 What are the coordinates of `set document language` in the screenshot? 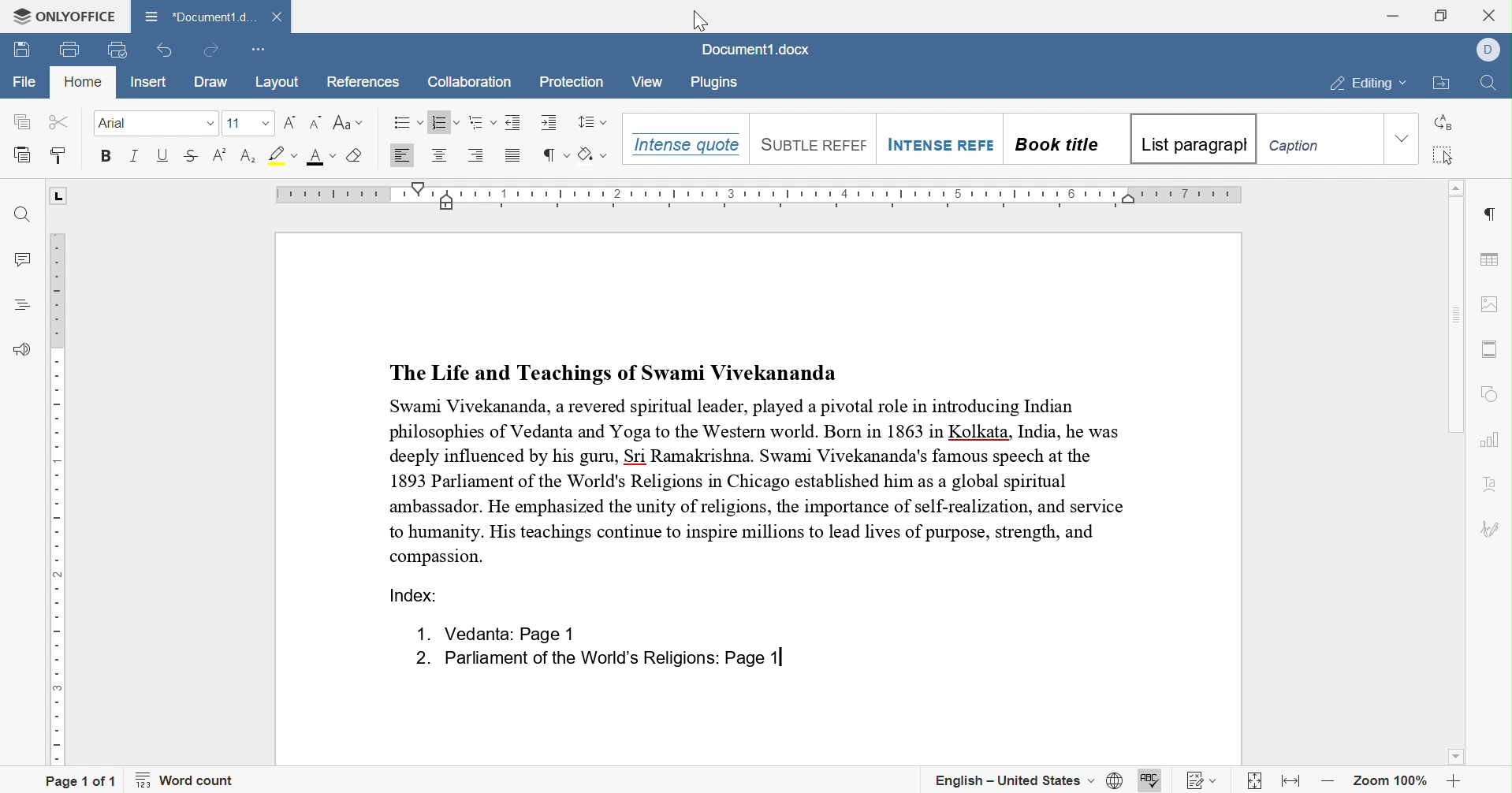 It's located at (1115, 780).